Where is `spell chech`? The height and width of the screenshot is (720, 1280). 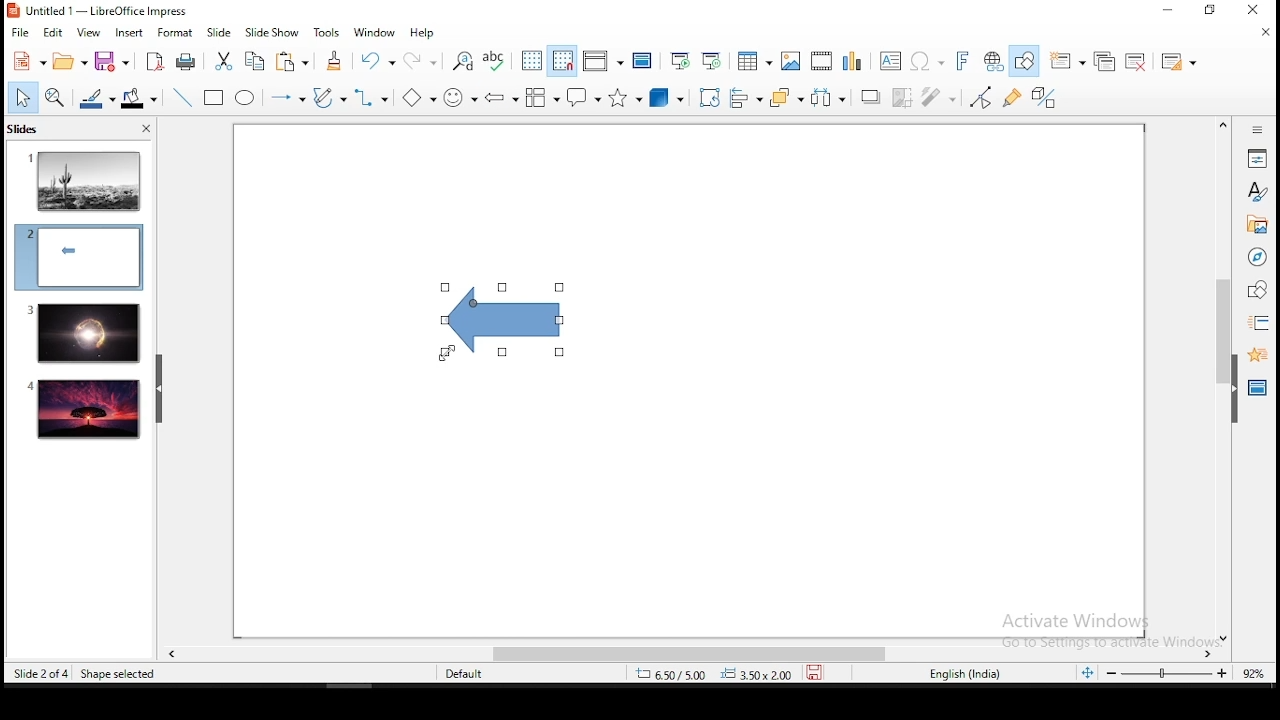
spell chech is located at coordinates (497, 60).